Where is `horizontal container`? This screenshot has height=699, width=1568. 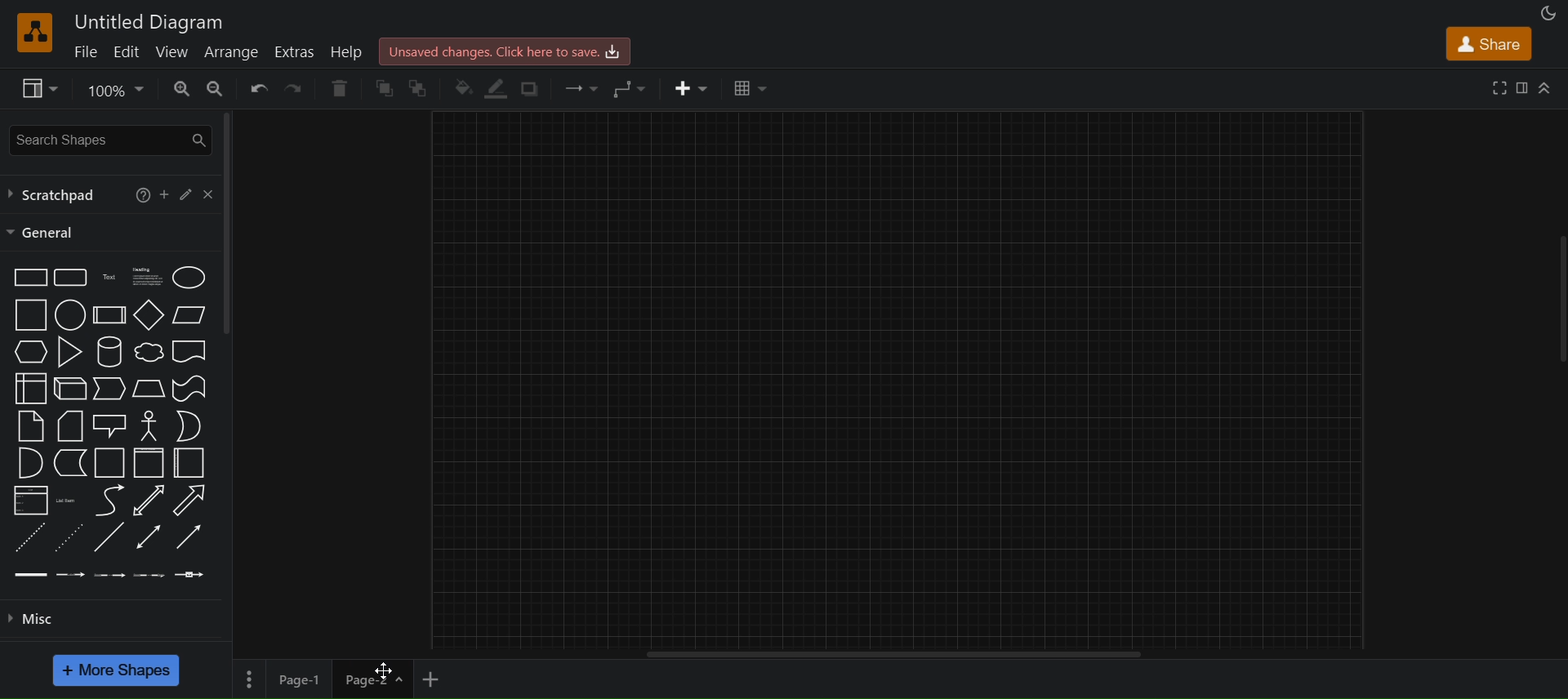 horizontal container is located at coordinates (190, 463).